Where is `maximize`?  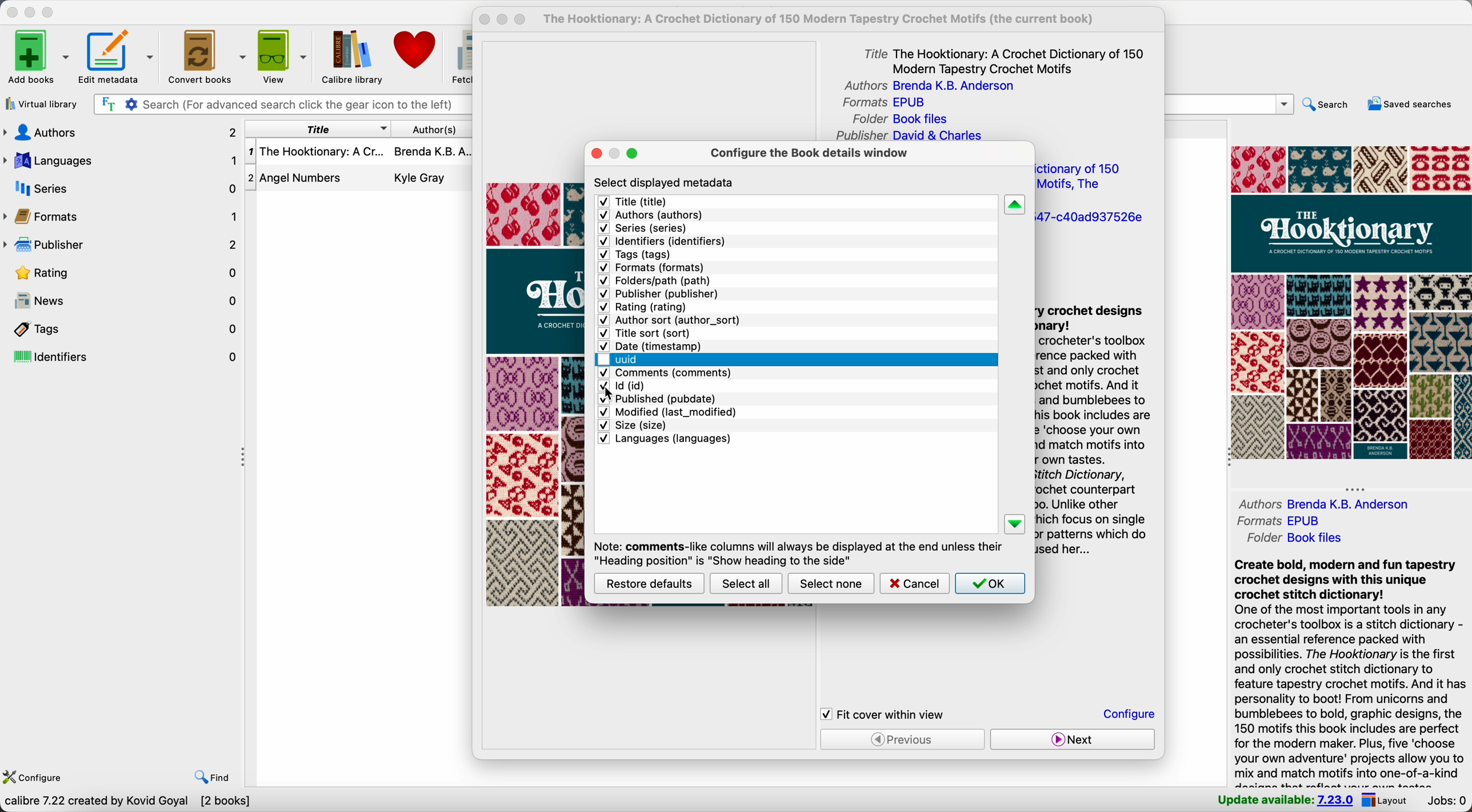 maximize is located at coordinates (520, 21).